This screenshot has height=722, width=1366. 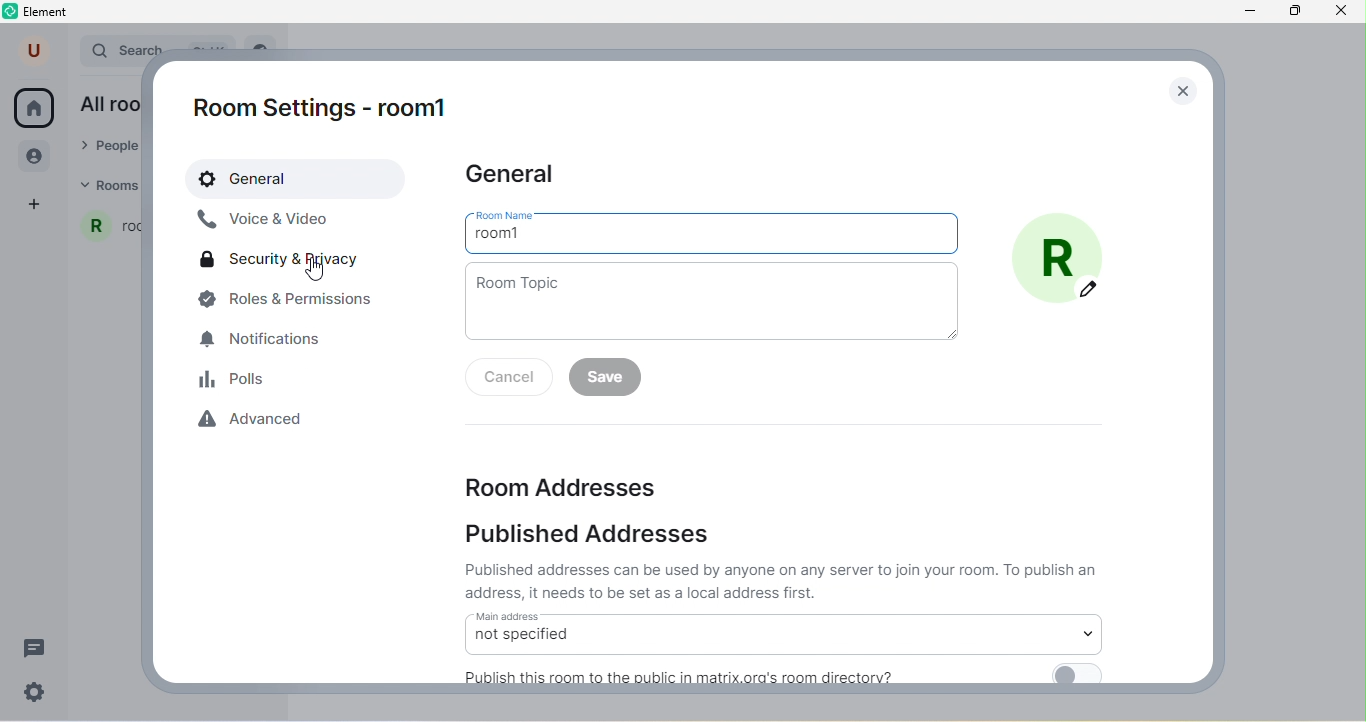 I want to click on save, so click(x=607, y=376).